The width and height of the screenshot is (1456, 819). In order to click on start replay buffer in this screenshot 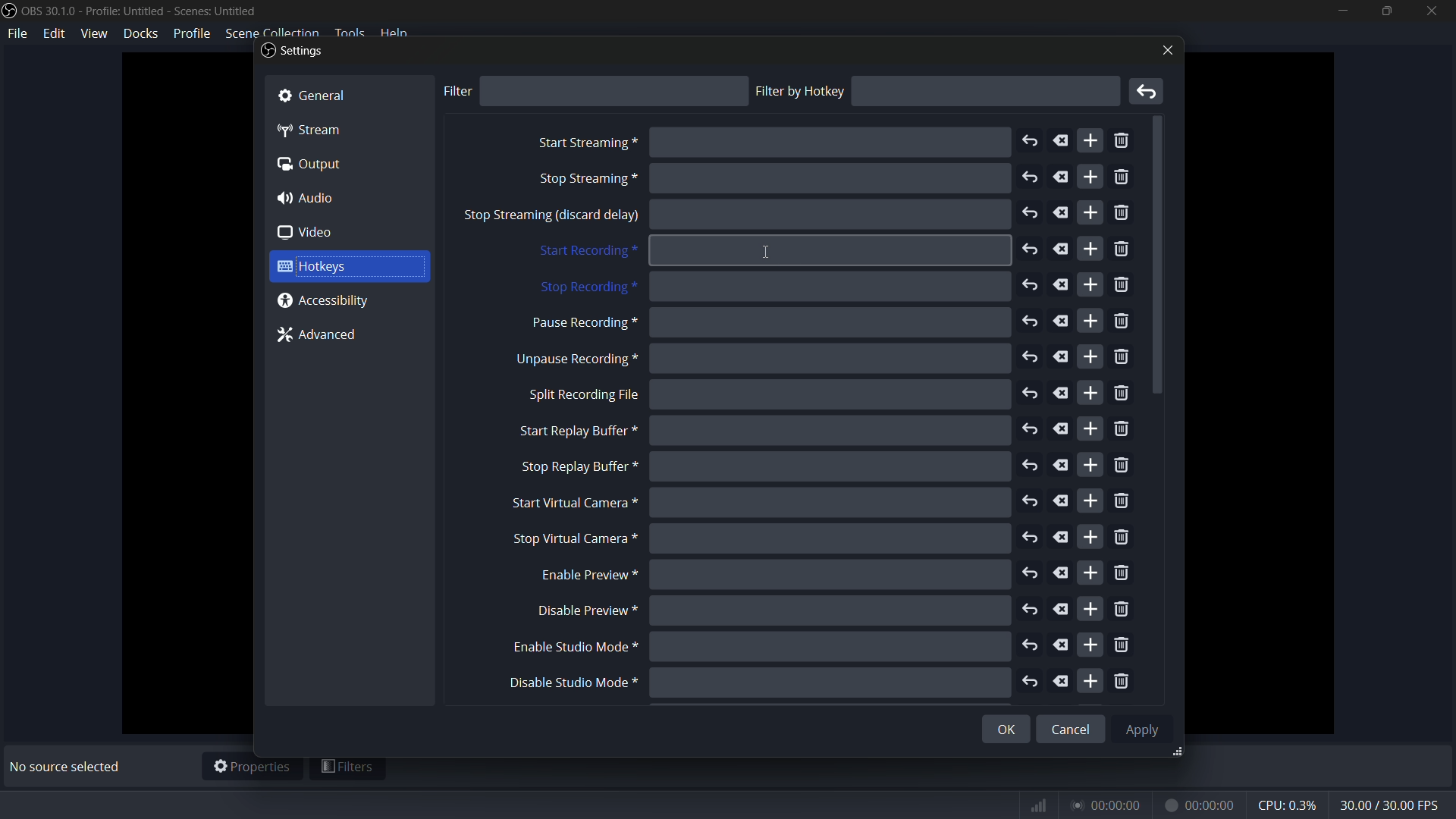, I will do `click(571, 431)`.